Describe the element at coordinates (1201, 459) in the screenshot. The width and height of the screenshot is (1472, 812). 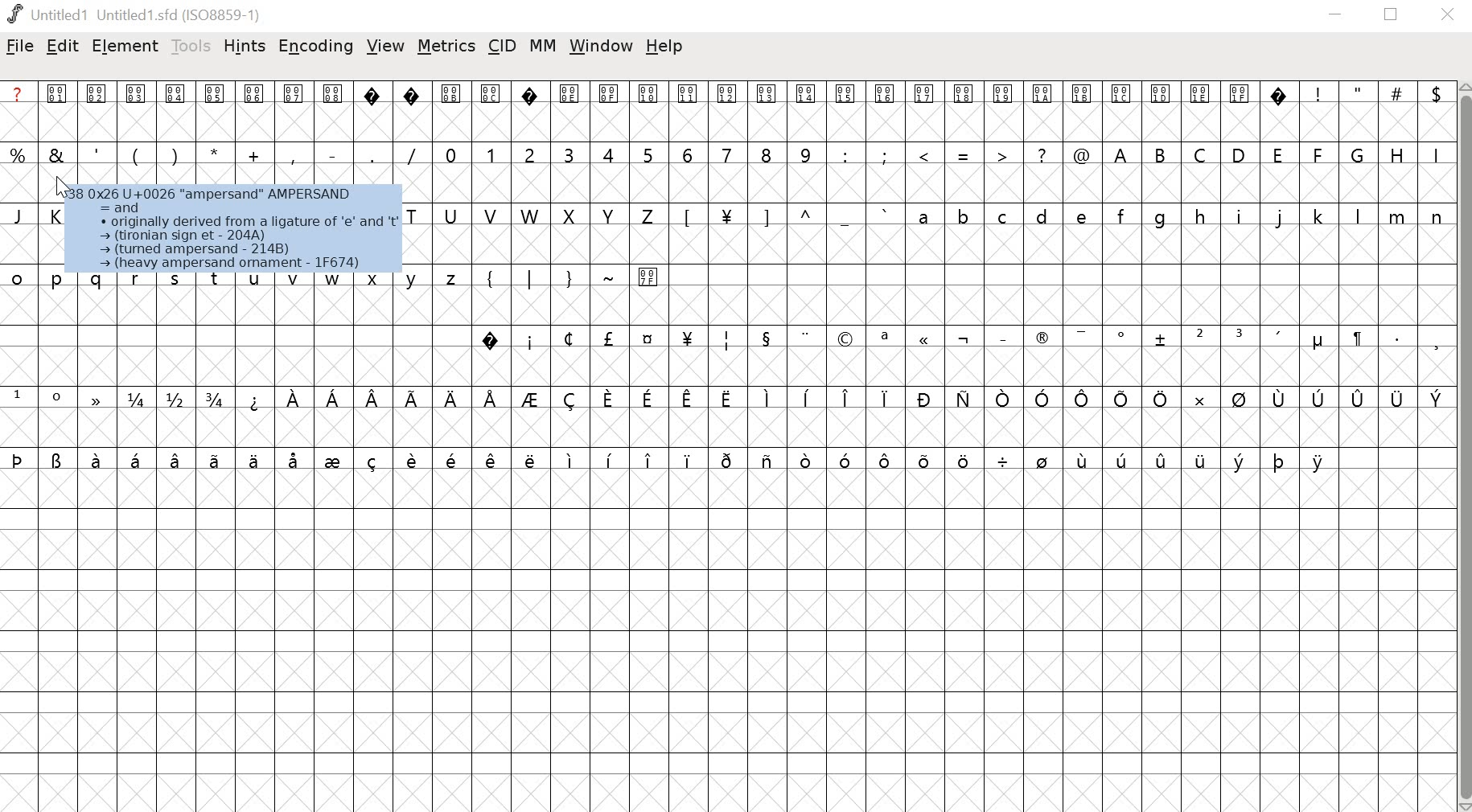
I see `symbol` at that location.